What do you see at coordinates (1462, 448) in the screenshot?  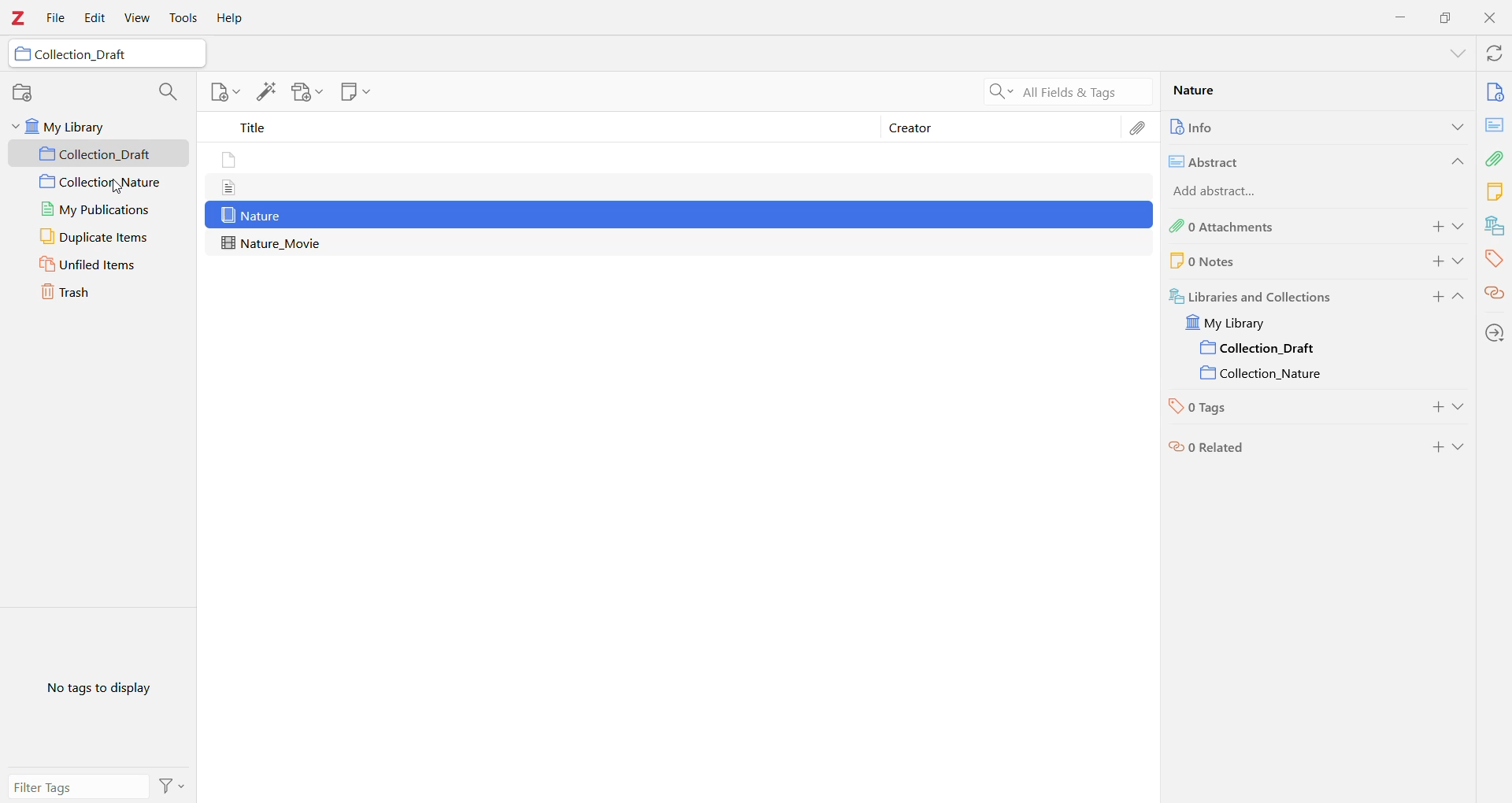 I see `Expand Section` at bounding box center [1462, 448].